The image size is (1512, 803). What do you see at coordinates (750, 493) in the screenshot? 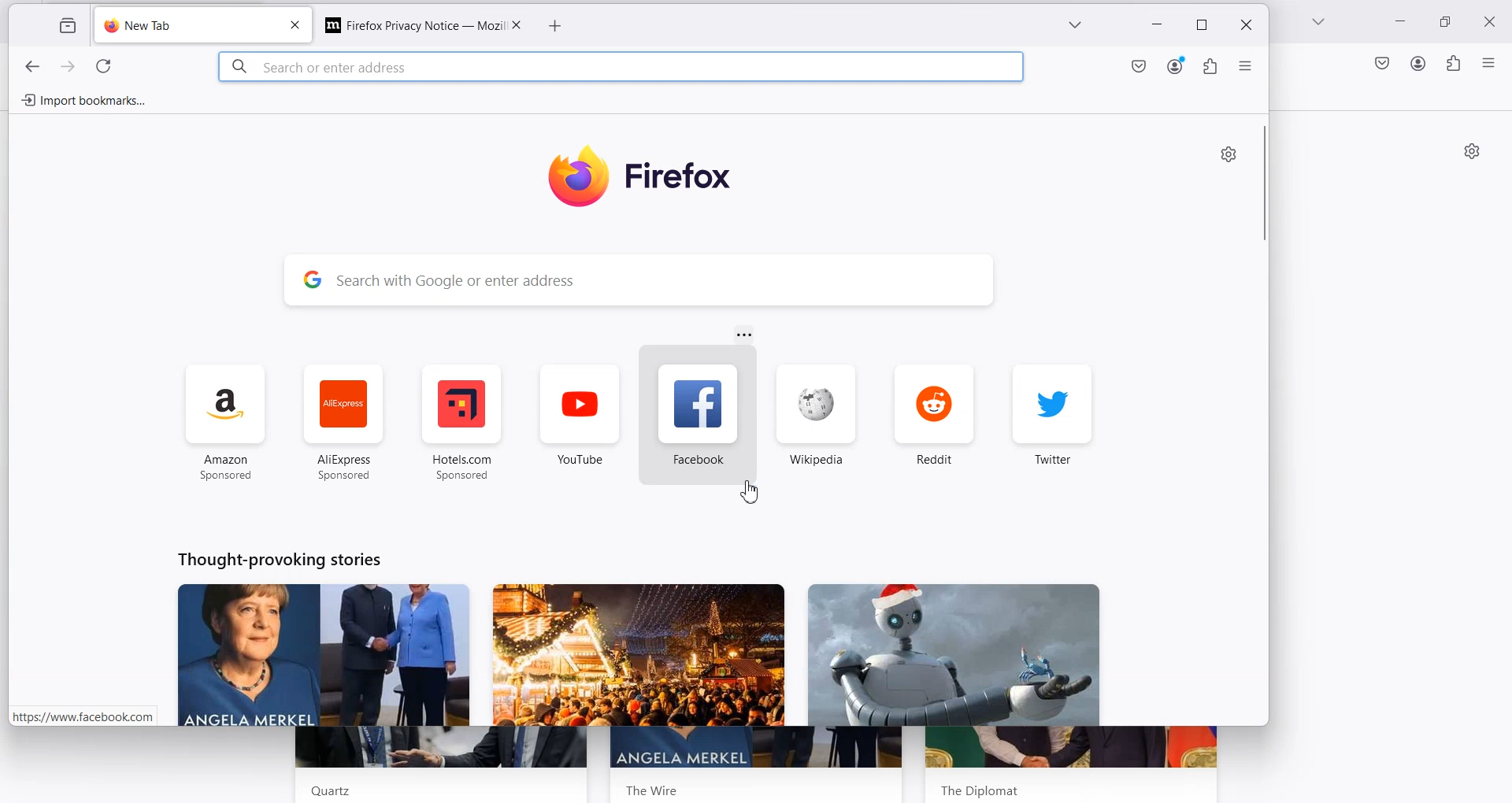
I see `Cursor` at bounding box center [750, 493].